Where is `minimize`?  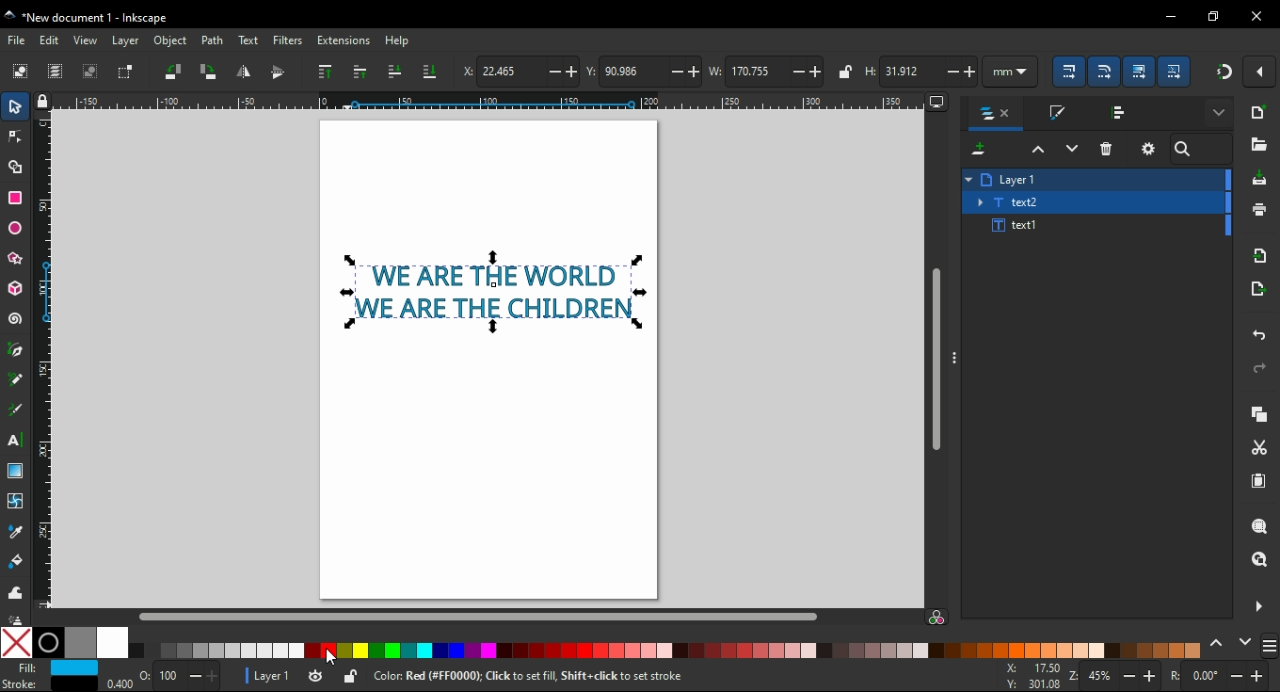
minimize is located at coordinates (1168, 16).